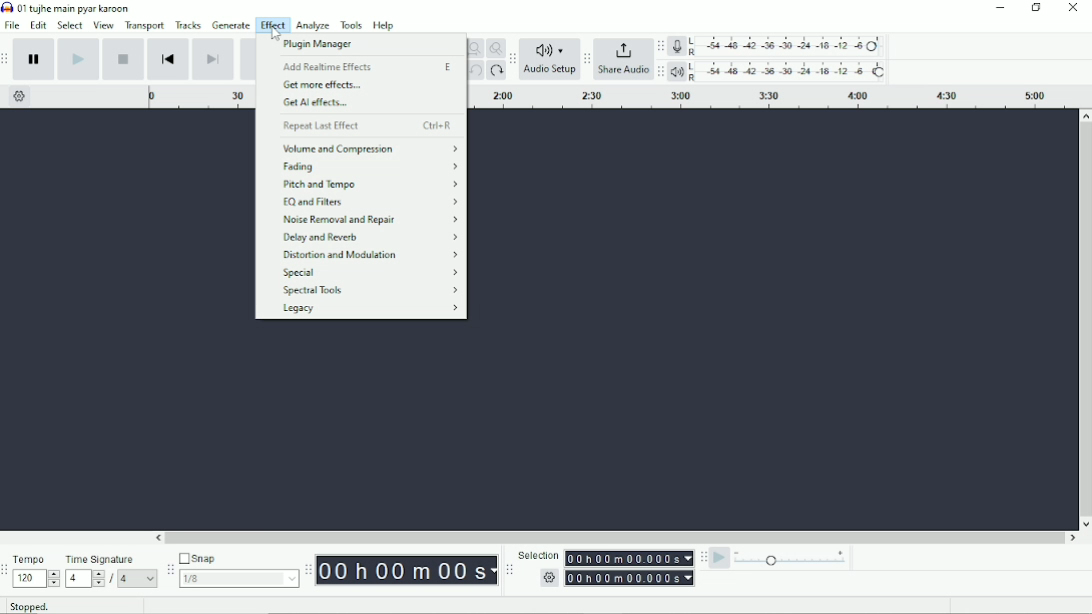 The height and width of the screenshot is (614, 1092). I want to click on Share Audio , so click(624, 62).